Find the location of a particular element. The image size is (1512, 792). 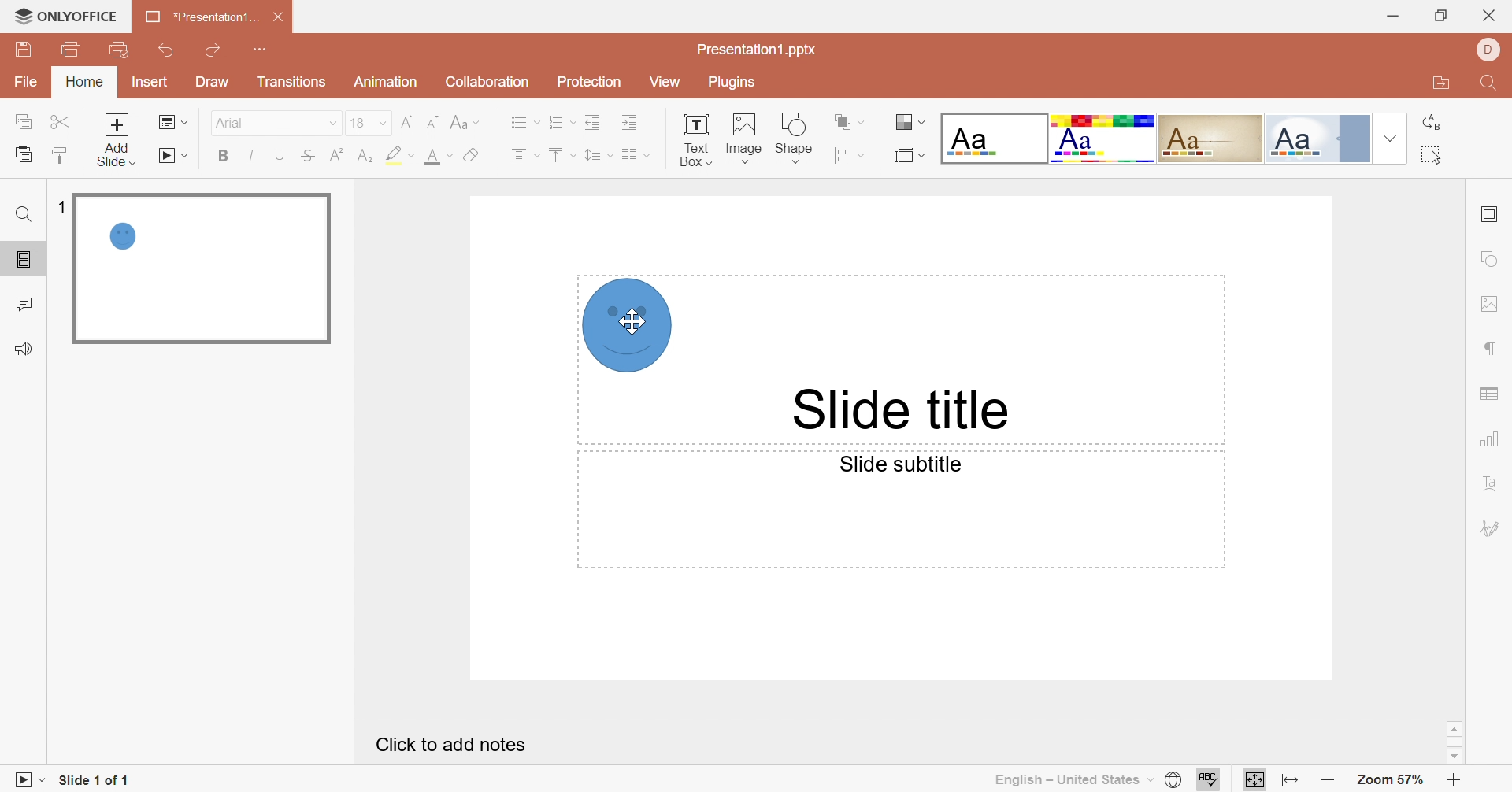

Animation is located at coordinates (384, 86).